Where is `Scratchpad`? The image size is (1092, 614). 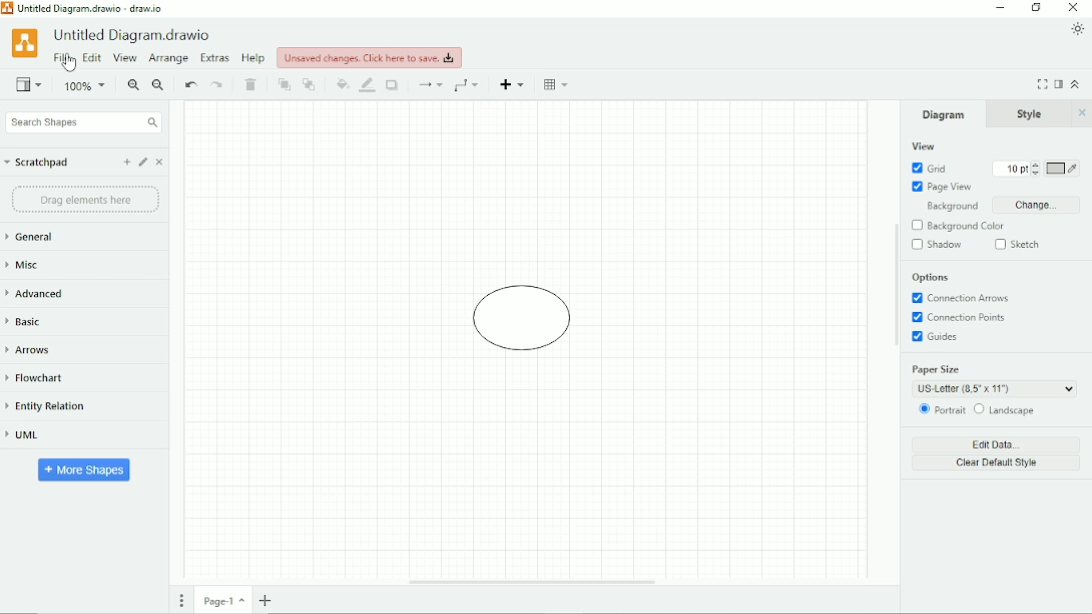 Scratchpad is located at coordinates (36, 163).